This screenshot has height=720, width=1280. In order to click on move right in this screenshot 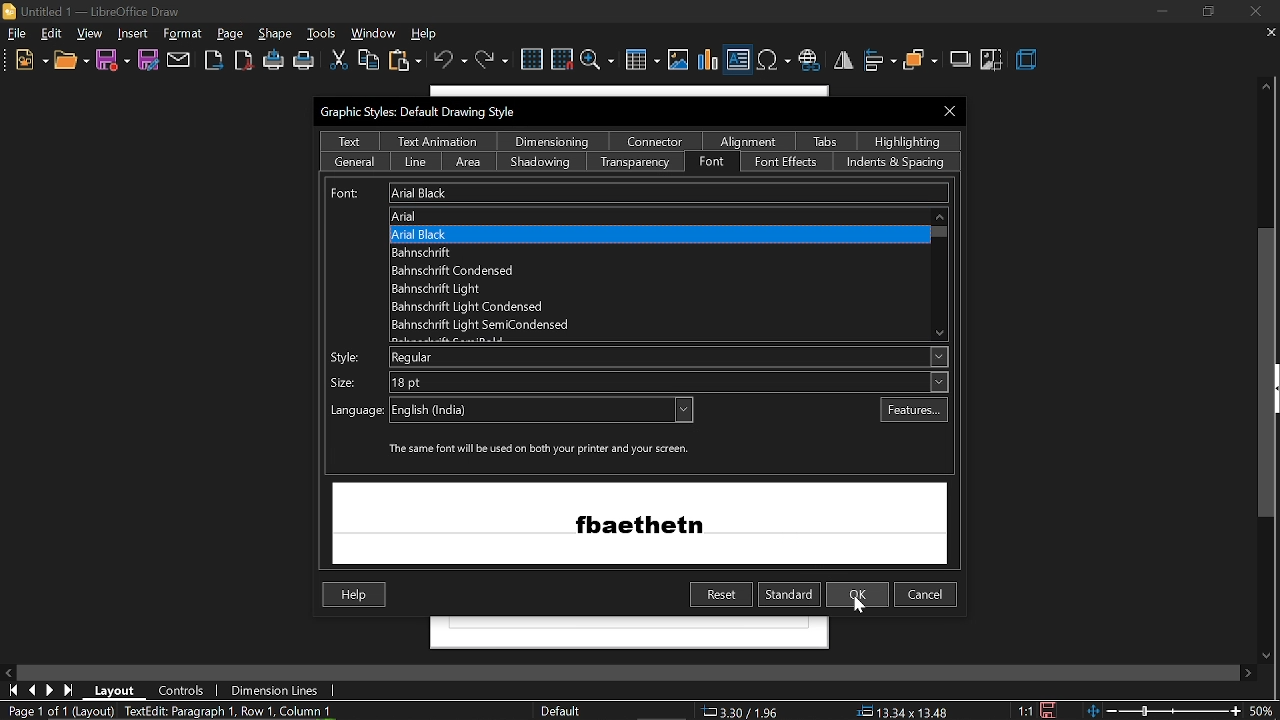, I will do `click(1250, 673)`.